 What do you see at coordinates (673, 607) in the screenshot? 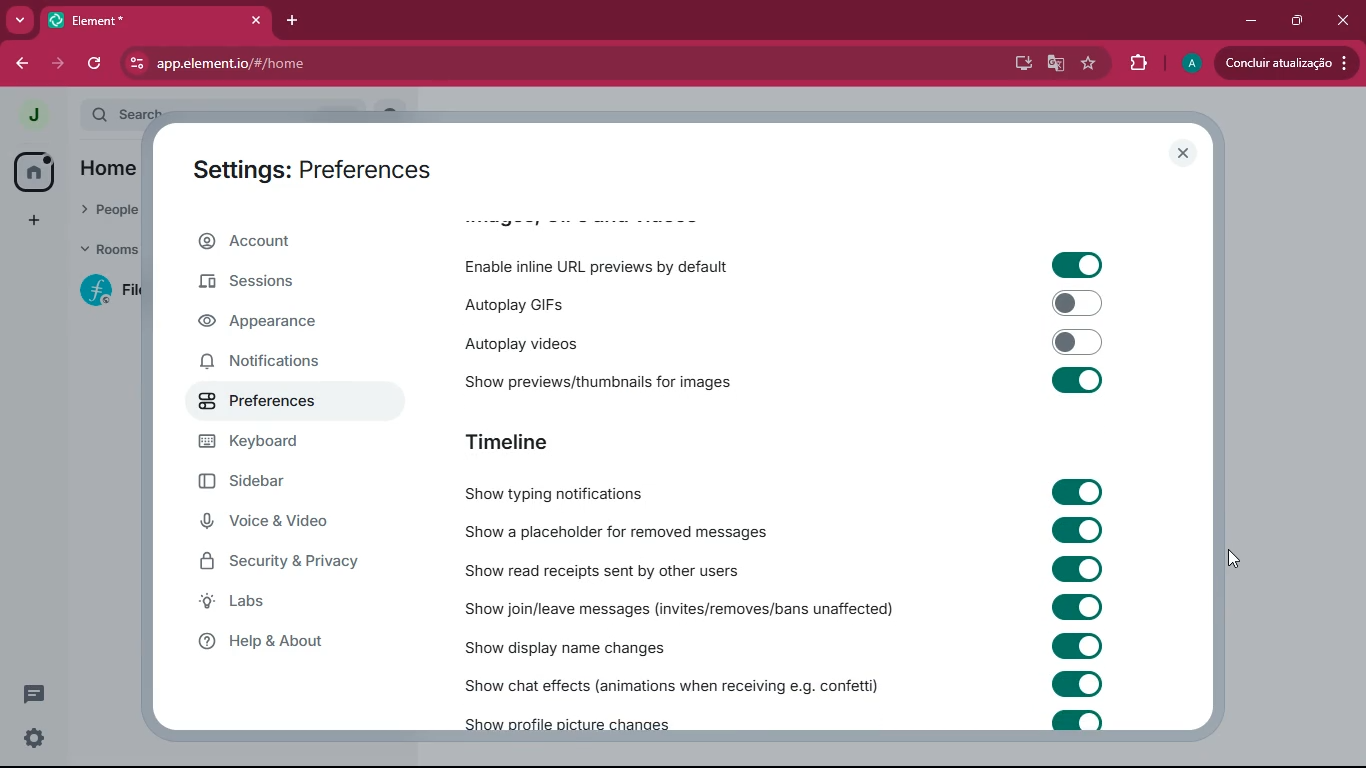
I see `show join/leave messages (invites/removes/bans unaffected)` at bounding box center [673, 607].